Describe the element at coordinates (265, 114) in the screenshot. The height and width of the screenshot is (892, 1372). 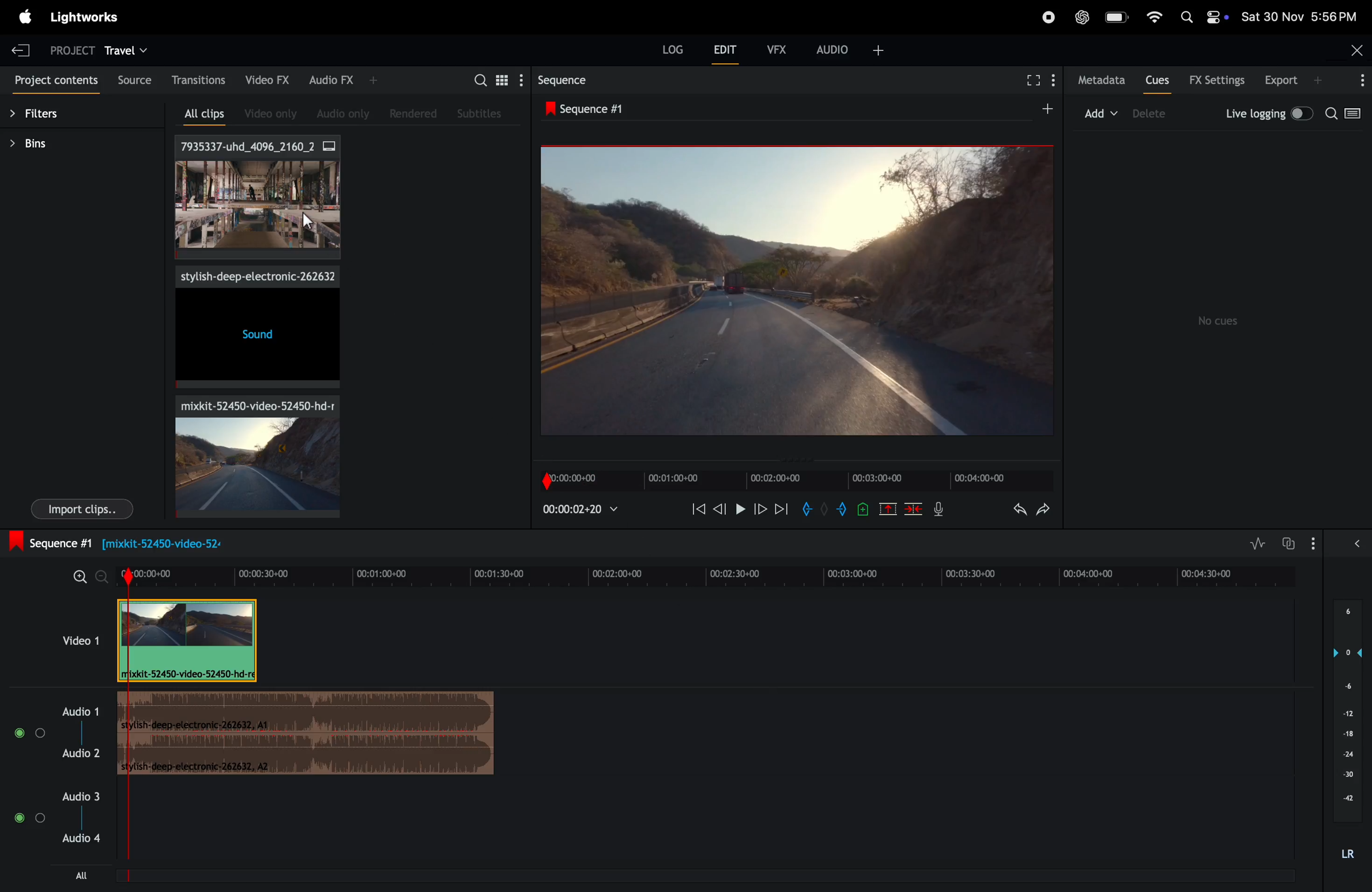
I see `video only` at that location.